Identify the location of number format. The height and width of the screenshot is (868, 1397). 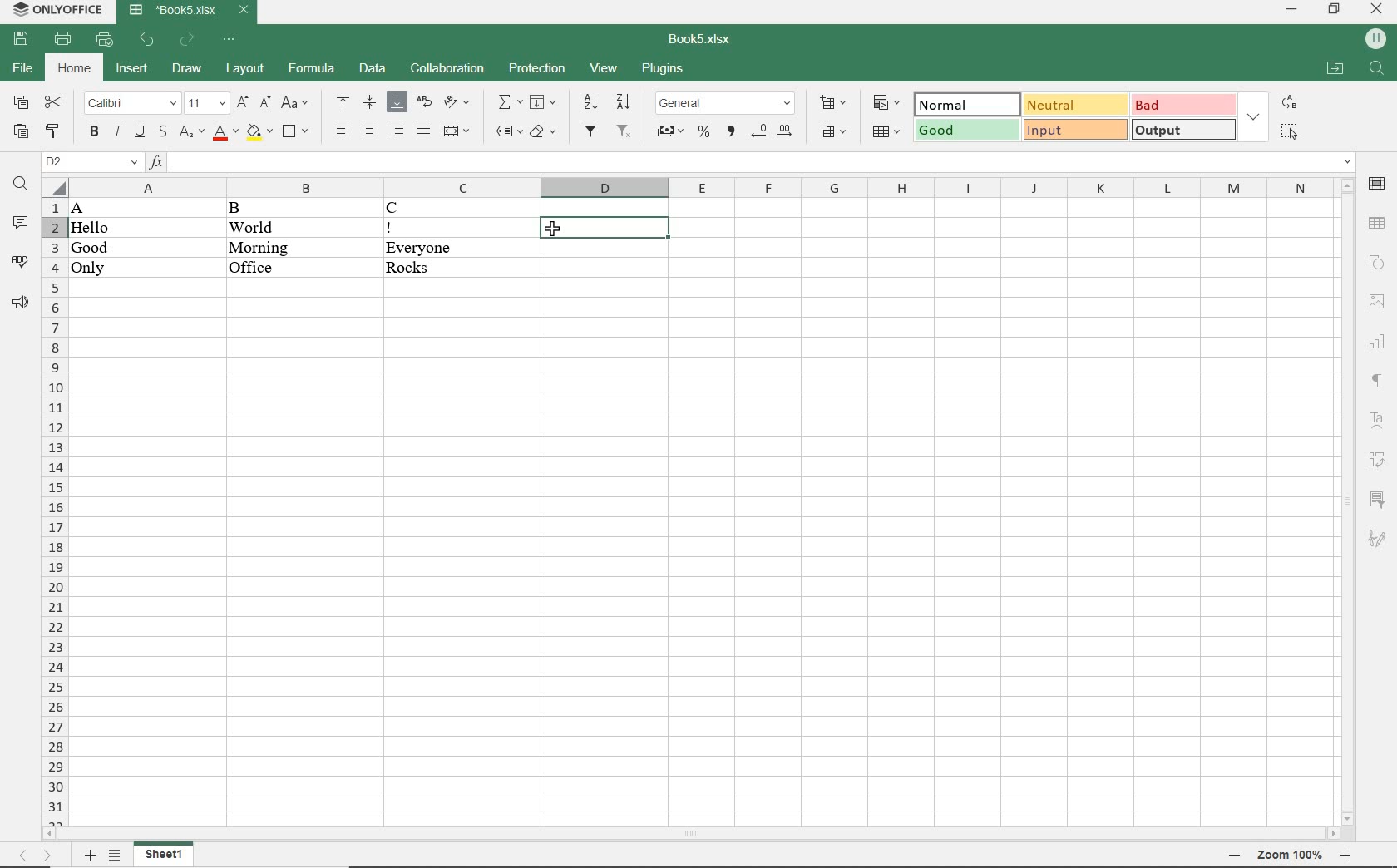
(727, 103).